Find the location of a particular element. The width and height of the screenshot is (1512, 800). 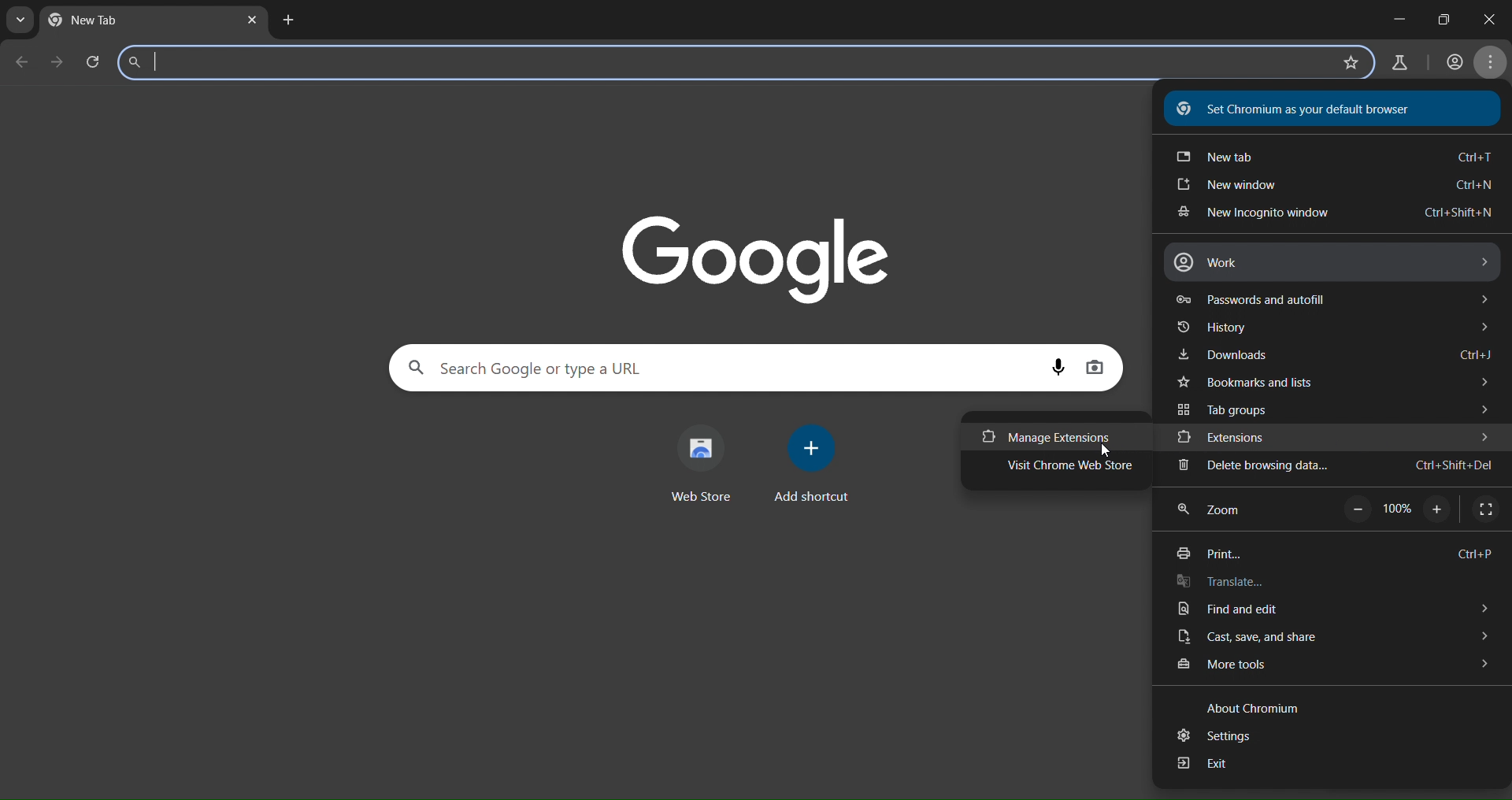

zoom  is located at coordinates (1215, 507).